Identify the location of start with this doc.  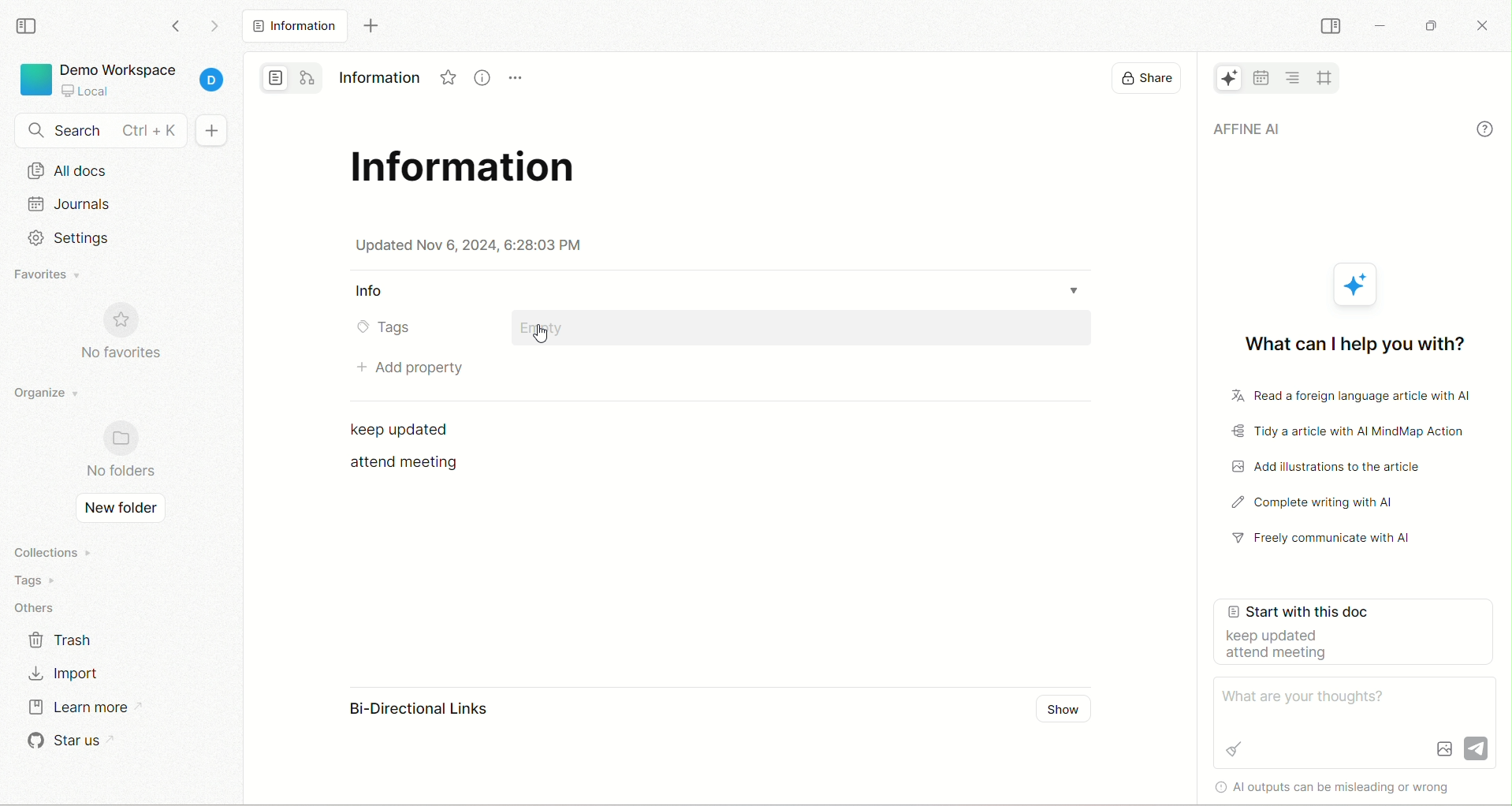
(1357, 632).